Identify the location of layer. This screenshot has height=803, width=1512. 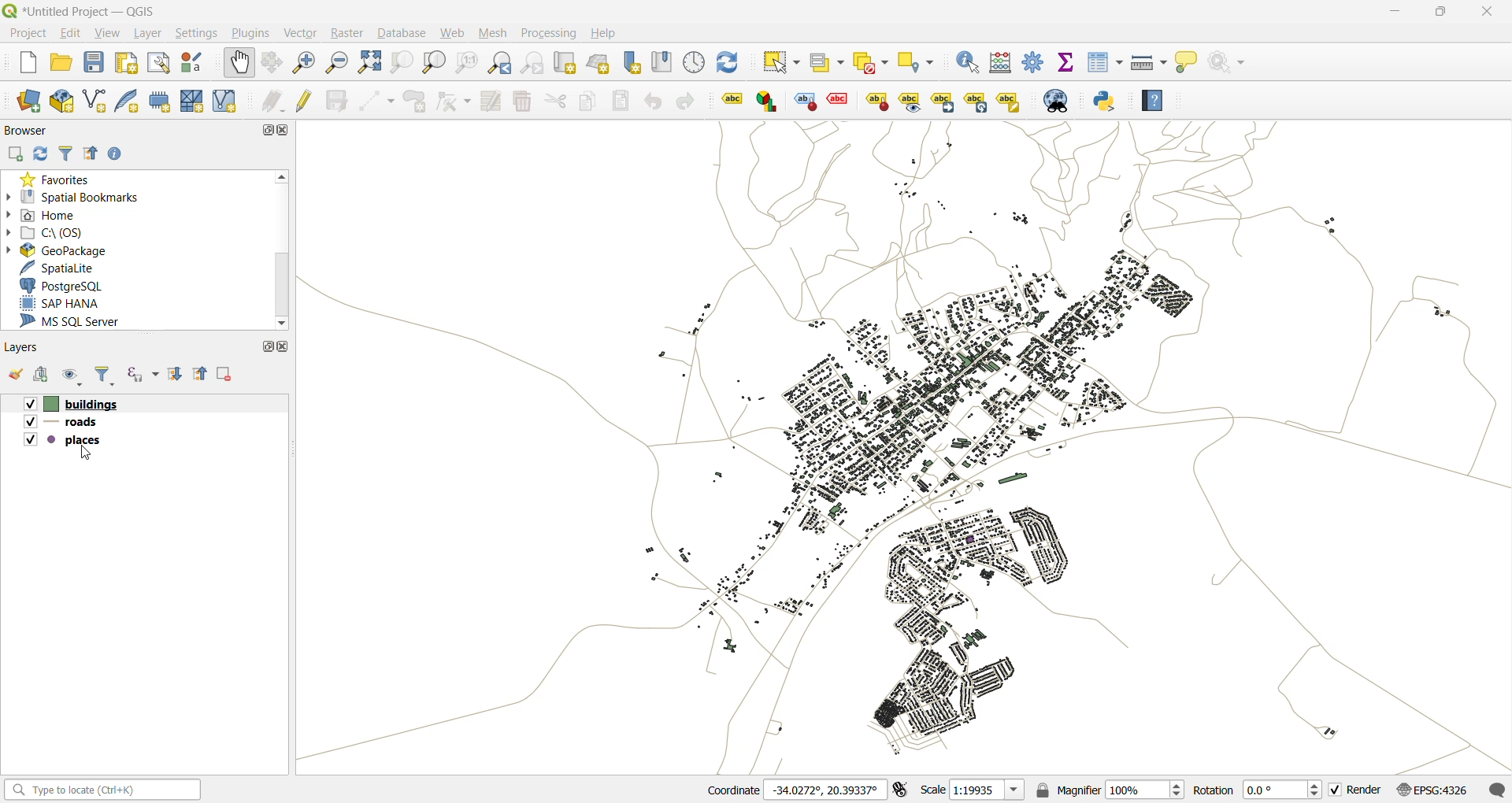
(152, 35).